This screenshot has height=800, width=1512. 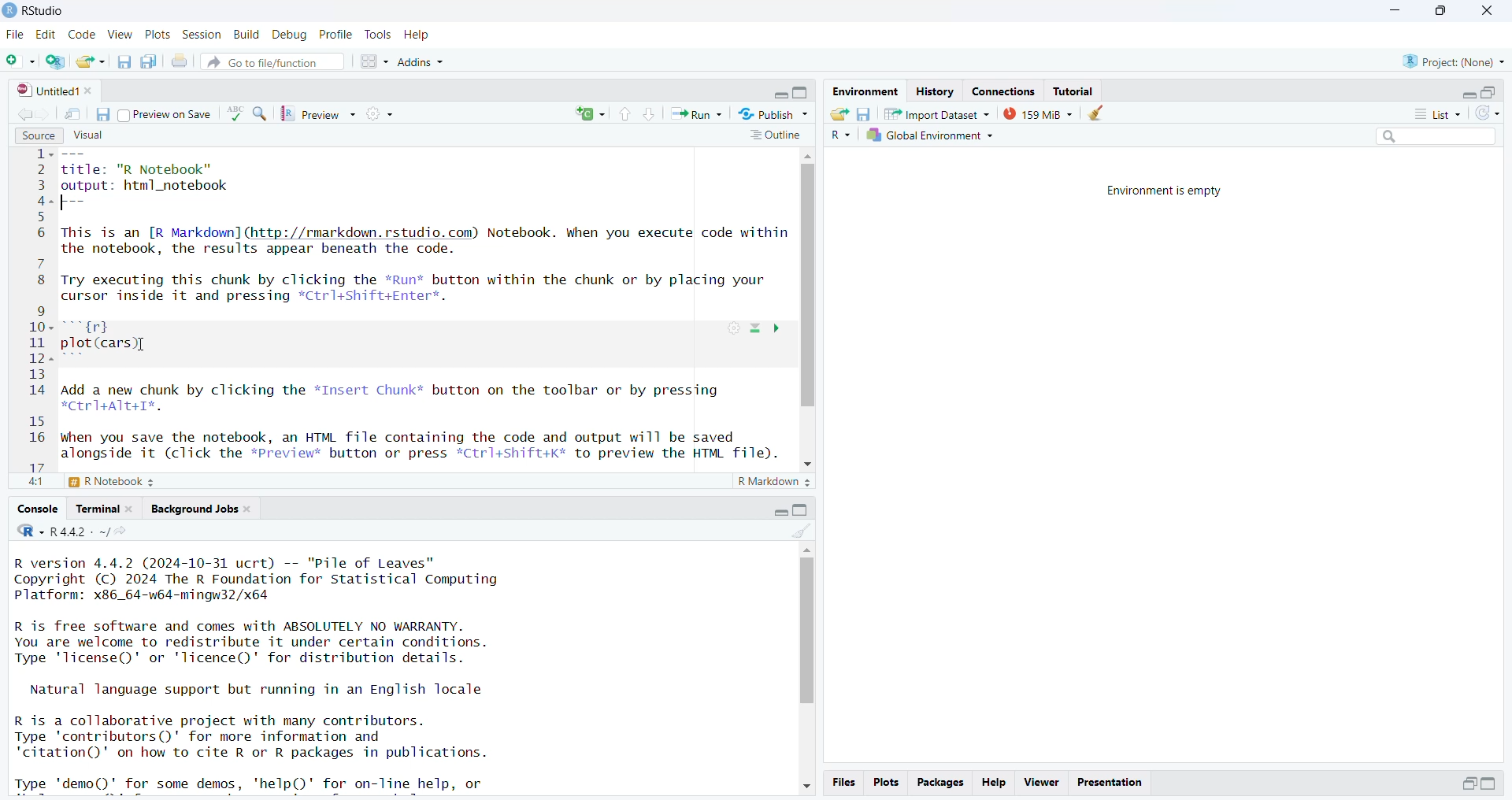 What do you see at coordinates (936, 113) in the screenshot?
I see `Import dataset` at bounding box center [936, 113].